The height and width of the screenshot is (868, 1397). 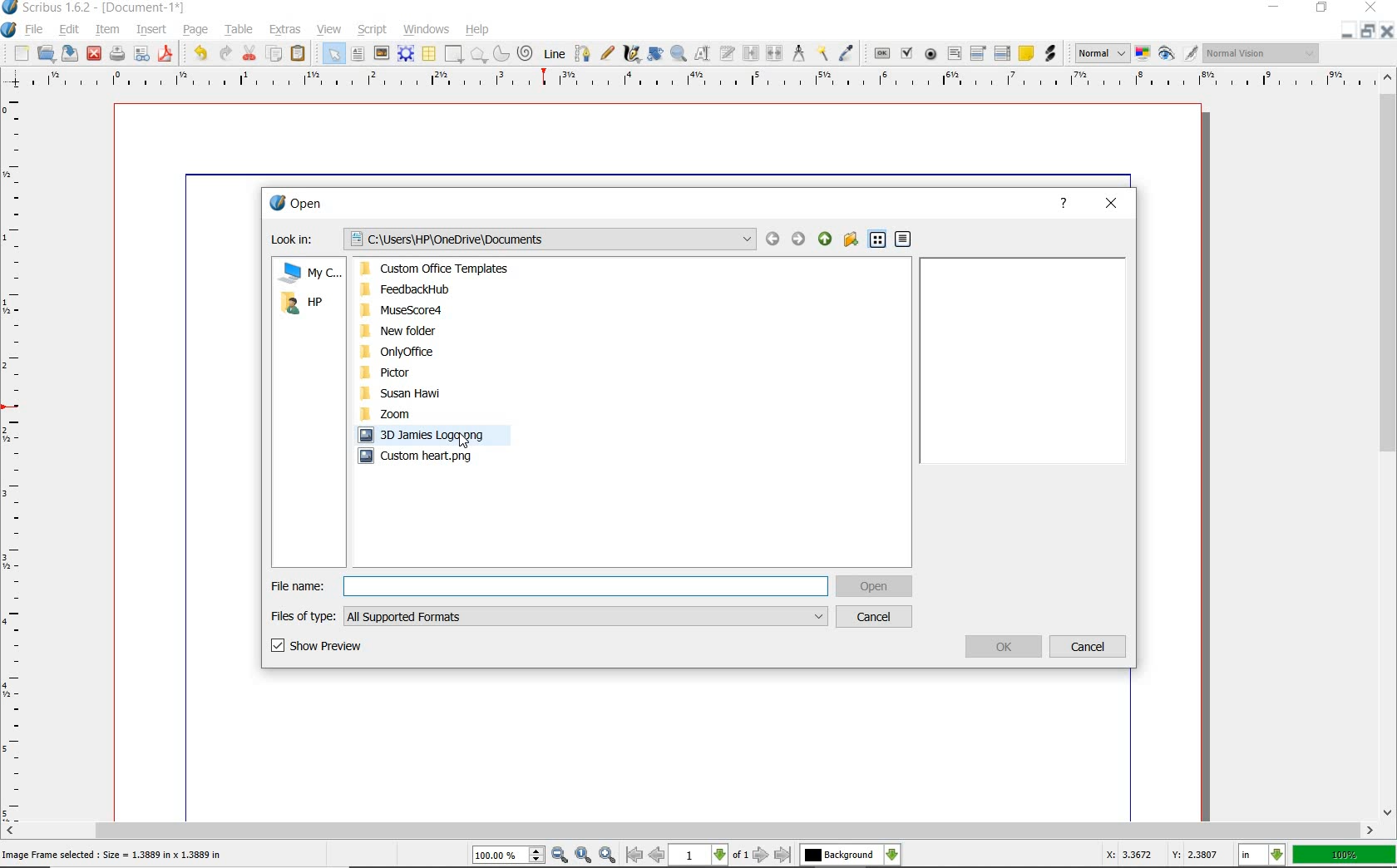 I want to click on Vertical Margin, so click(x=16, y=456).